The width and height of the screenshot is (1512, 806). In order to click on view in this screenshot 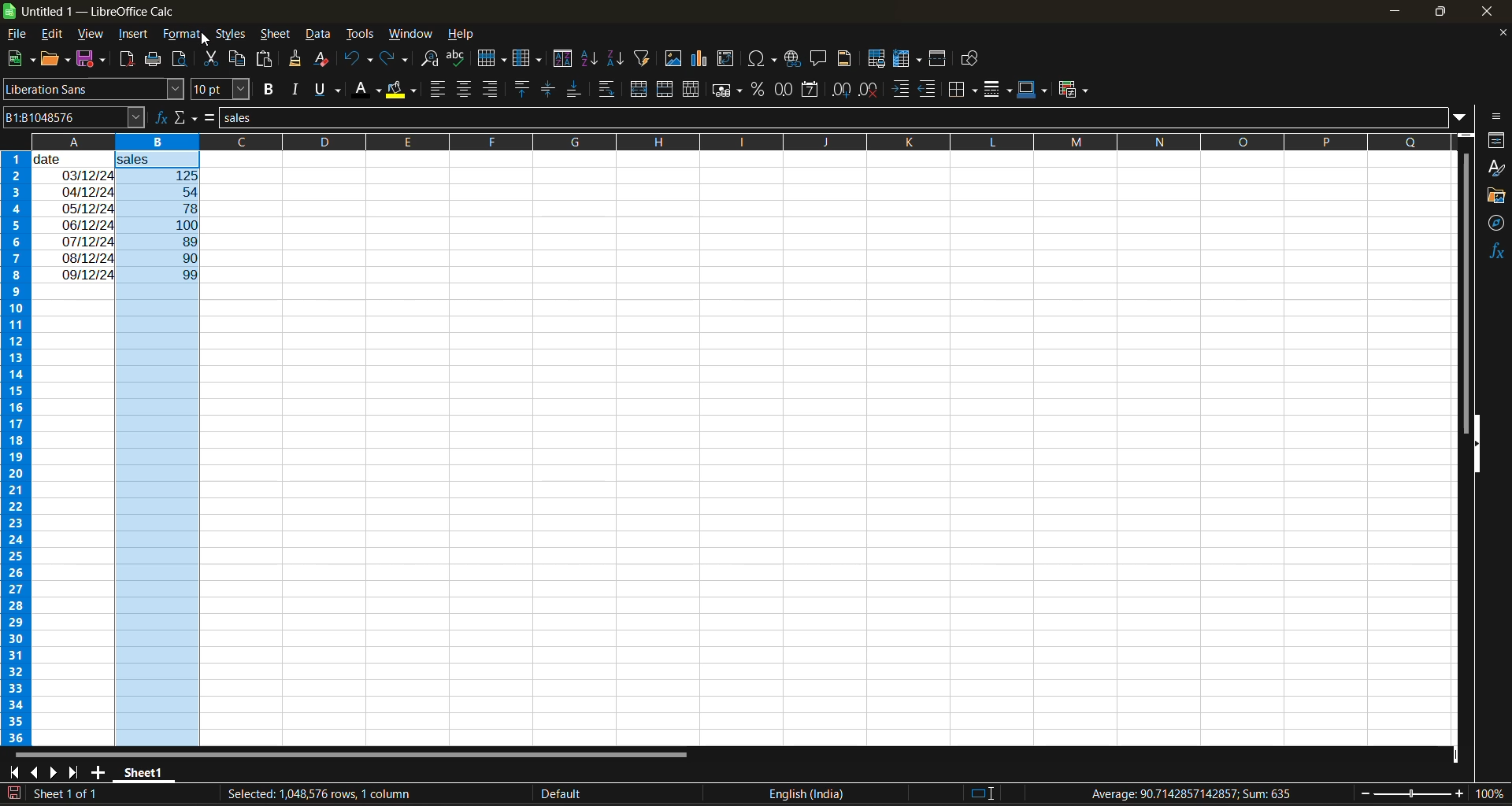, I will do `click(92, 31)`.